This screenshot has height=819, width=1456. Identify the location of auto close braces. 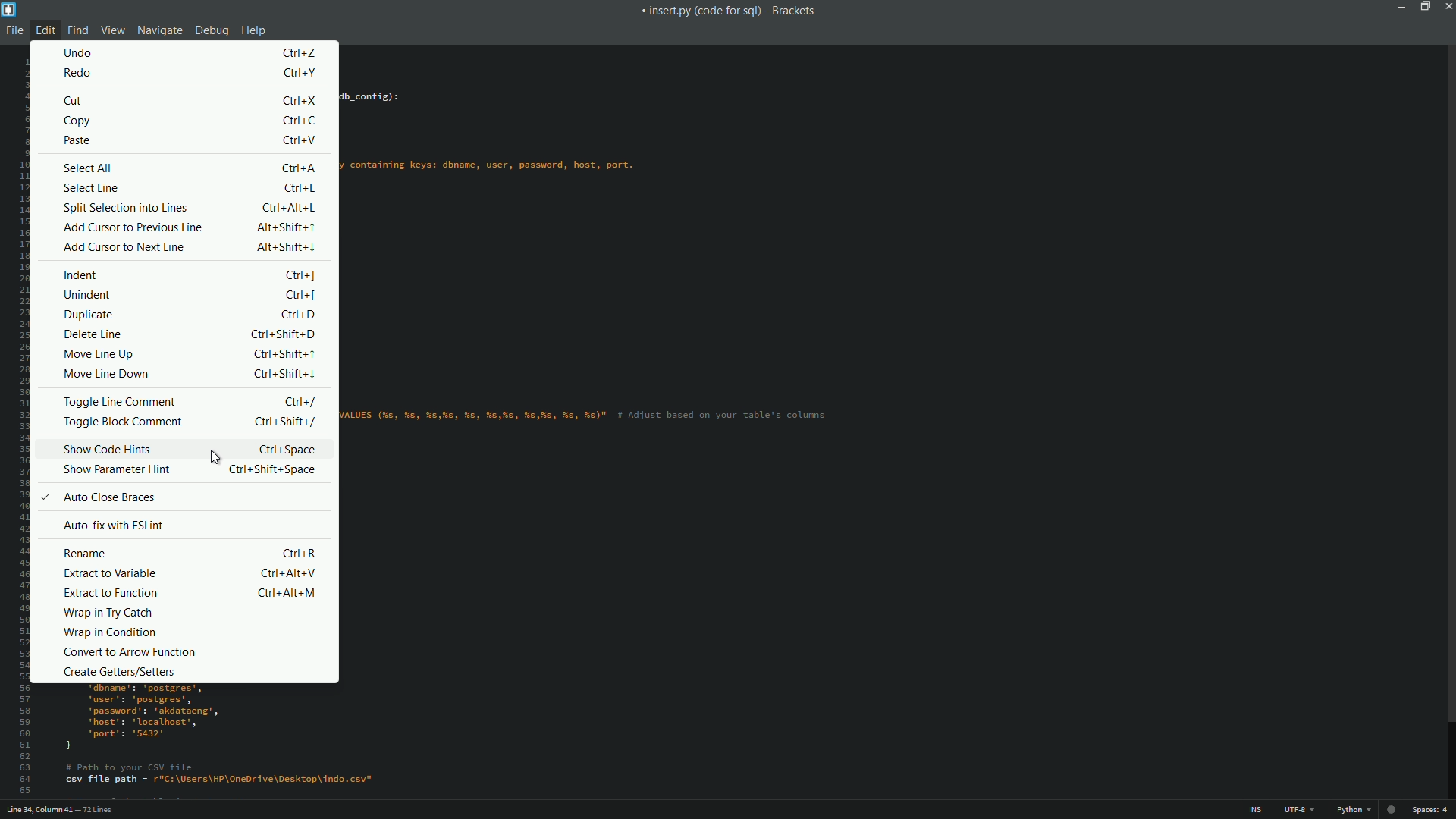
(99, 497).